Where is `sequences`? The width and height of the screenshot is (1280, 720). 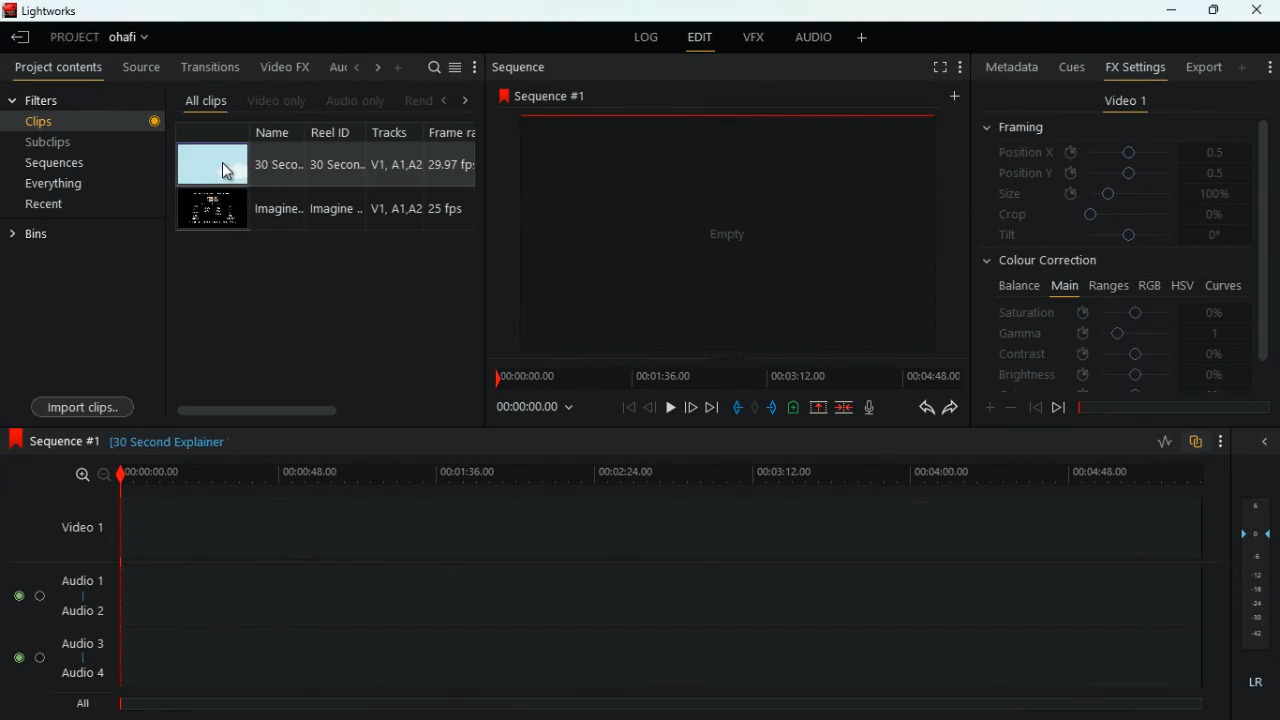
sequences is located at coordinates (58, 165).